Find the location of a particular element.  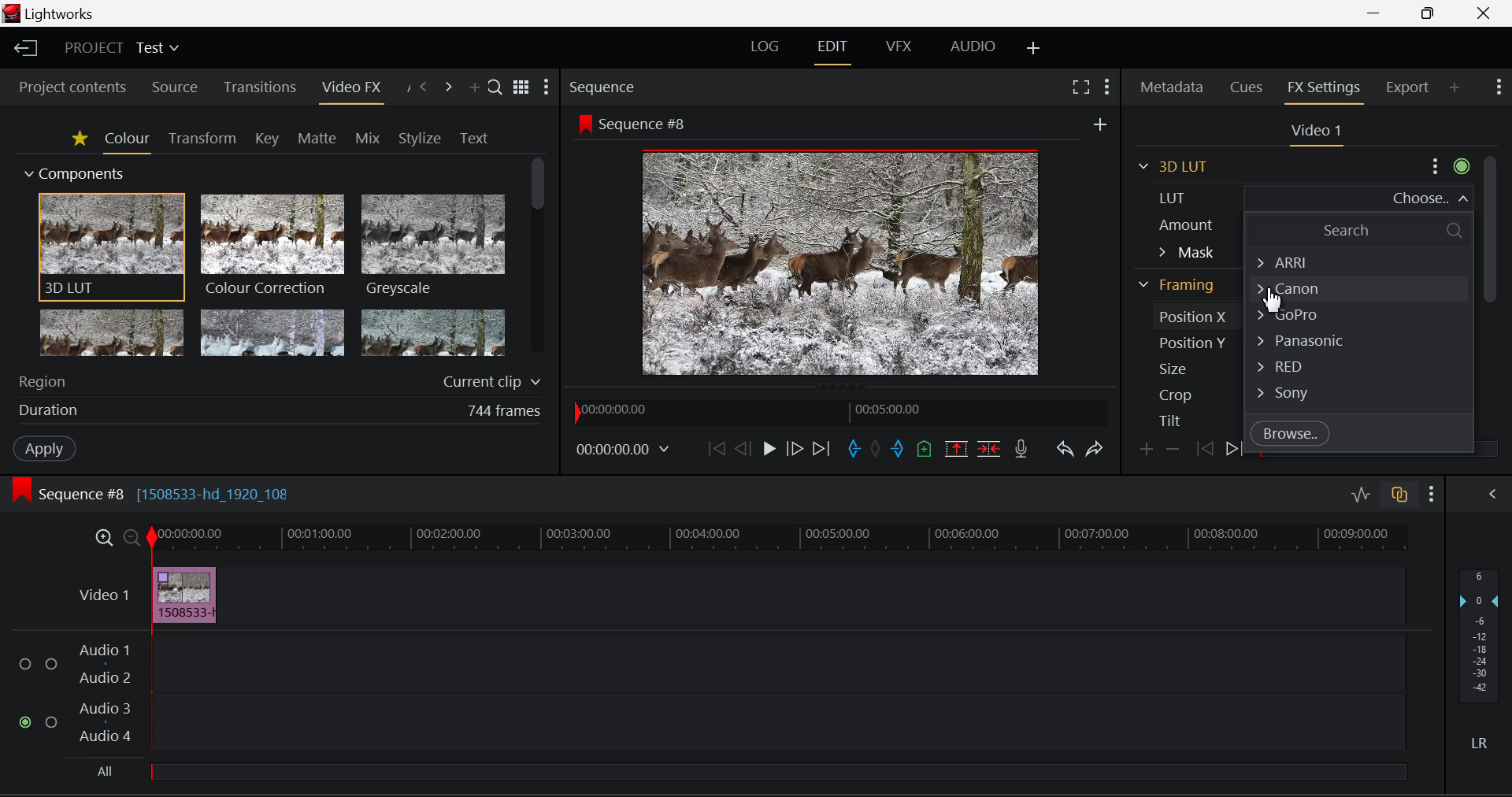

Mark Cue is located at coordinates (923, 448).